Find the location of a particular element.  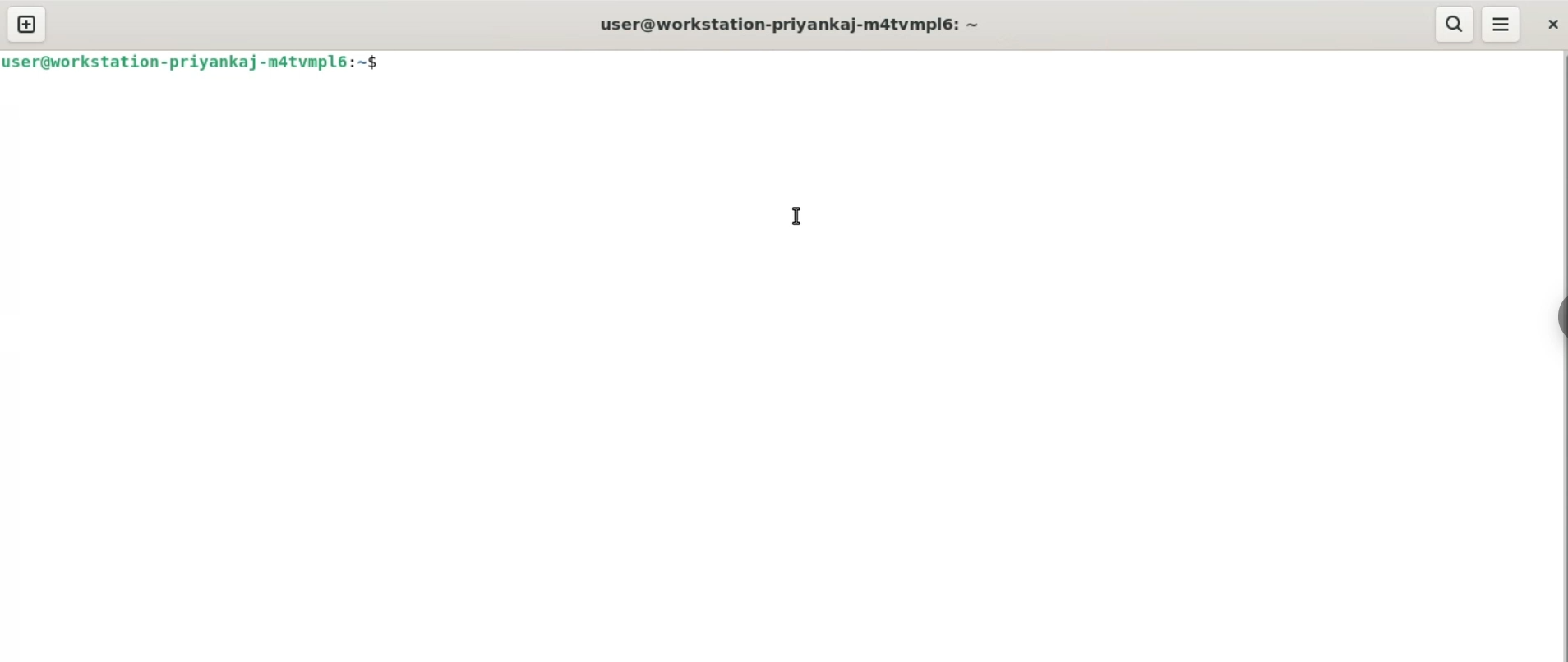

search is located at coordinates (1456, 24).